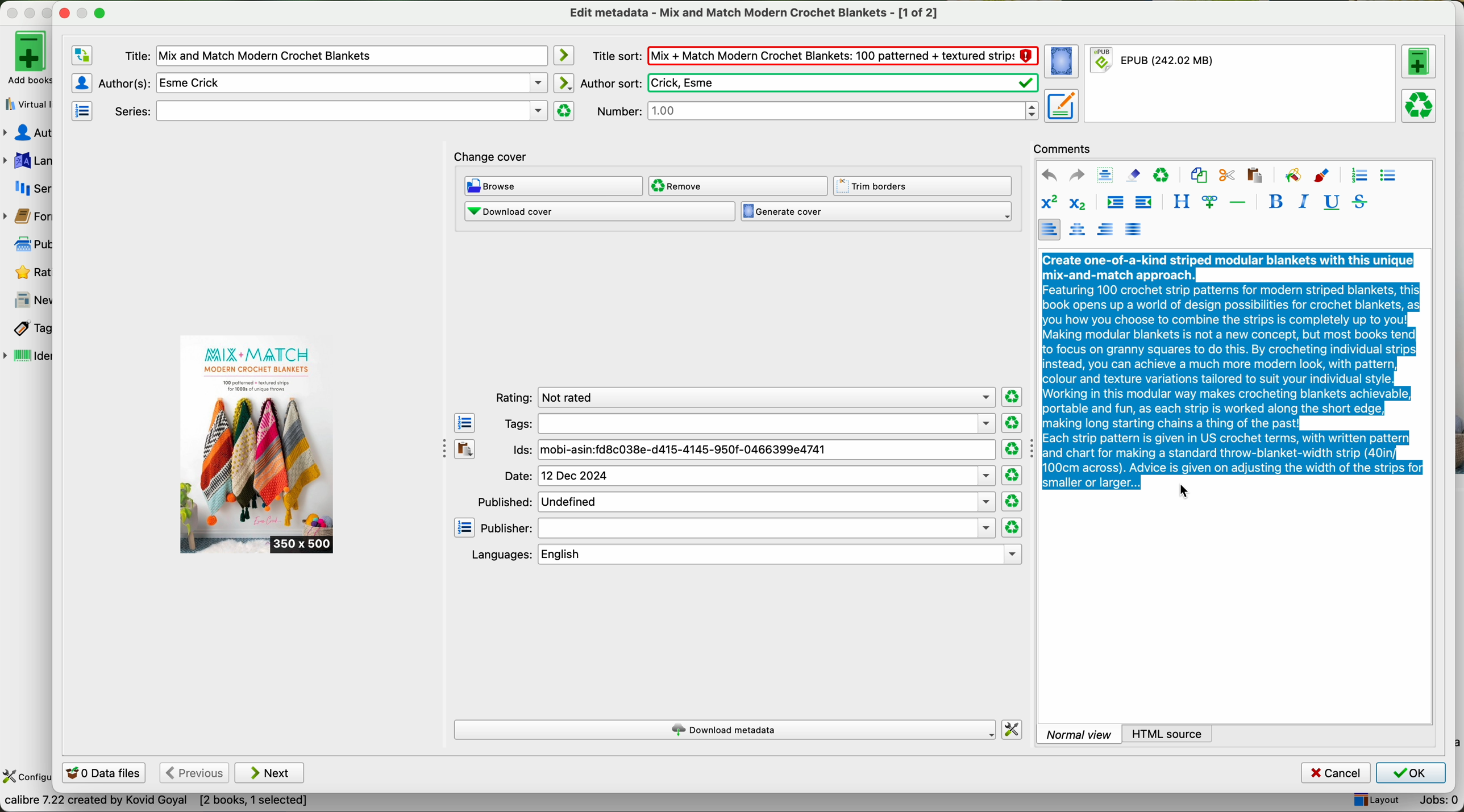  What do you see at coordinates (86, 12) in the screenshot?
I see `disable minimize window` at bounding box center [86, 12].